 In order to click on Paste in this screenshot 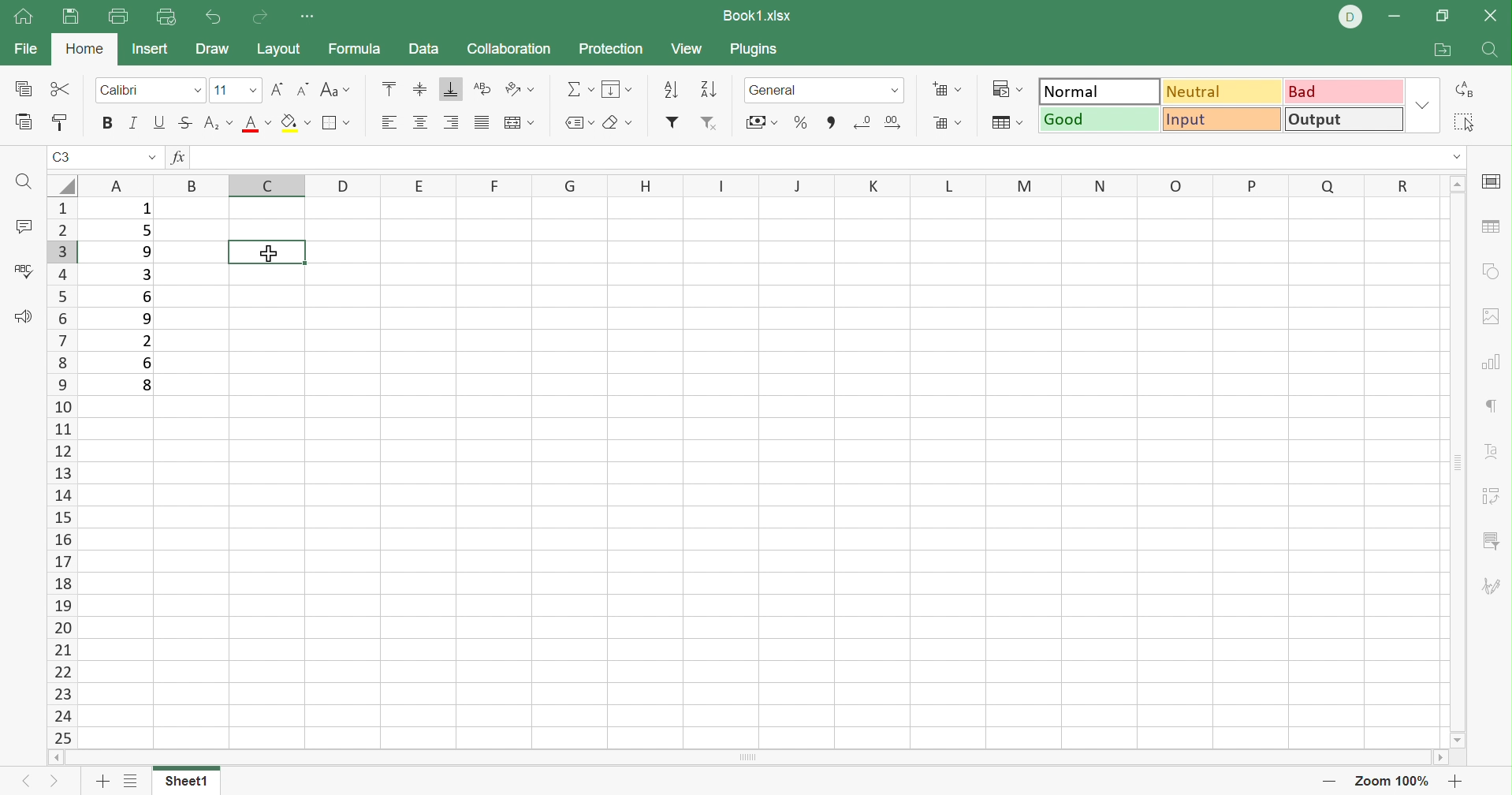, I will do `click(20, 125)`.